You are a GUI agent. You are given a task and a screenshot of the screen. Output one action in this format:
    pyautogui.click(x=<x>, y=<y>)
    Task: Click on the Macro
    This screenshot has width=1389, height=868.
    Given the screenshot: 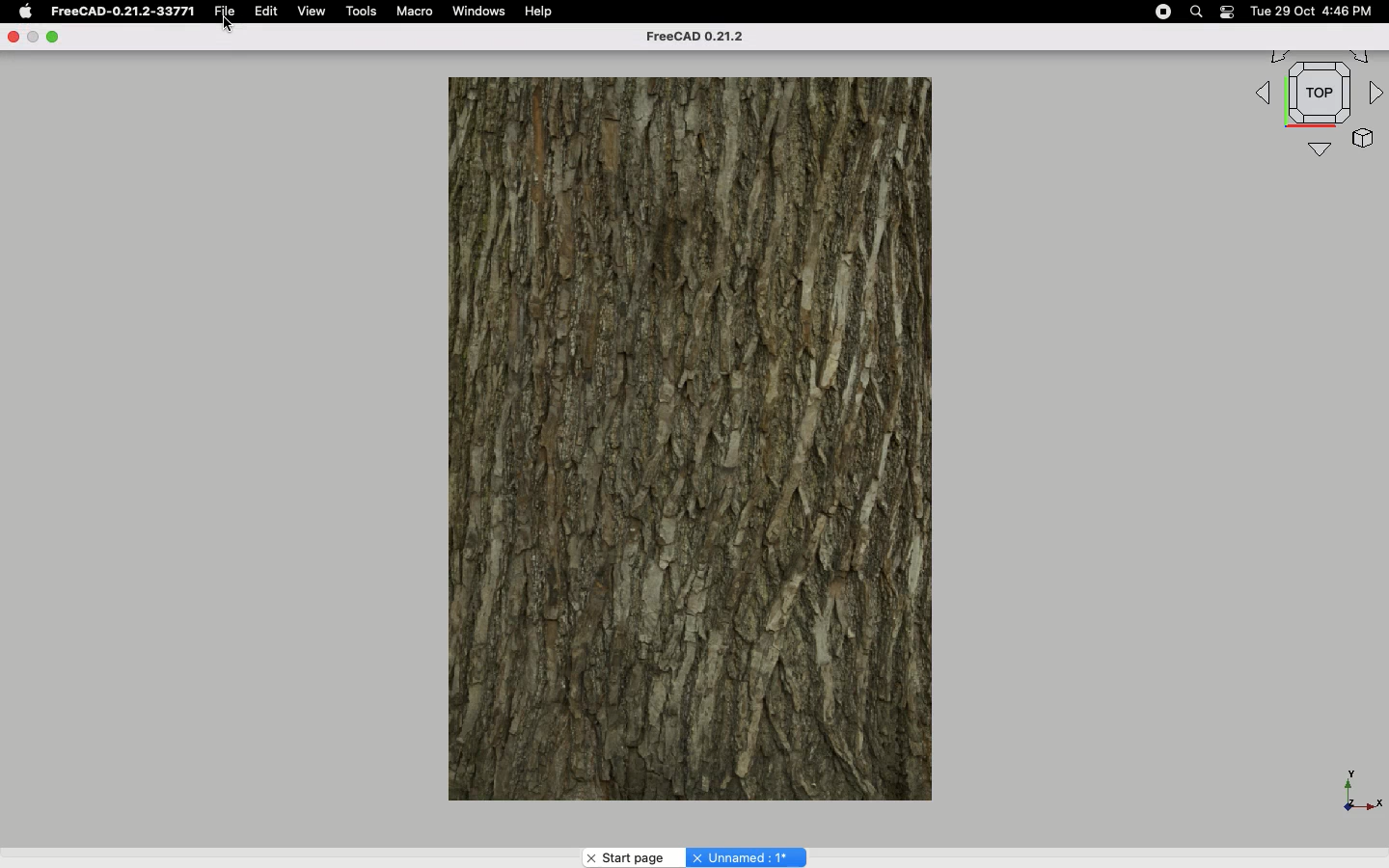 What is the action you would take?
    pyautogui.click(x=419, y=14)
    